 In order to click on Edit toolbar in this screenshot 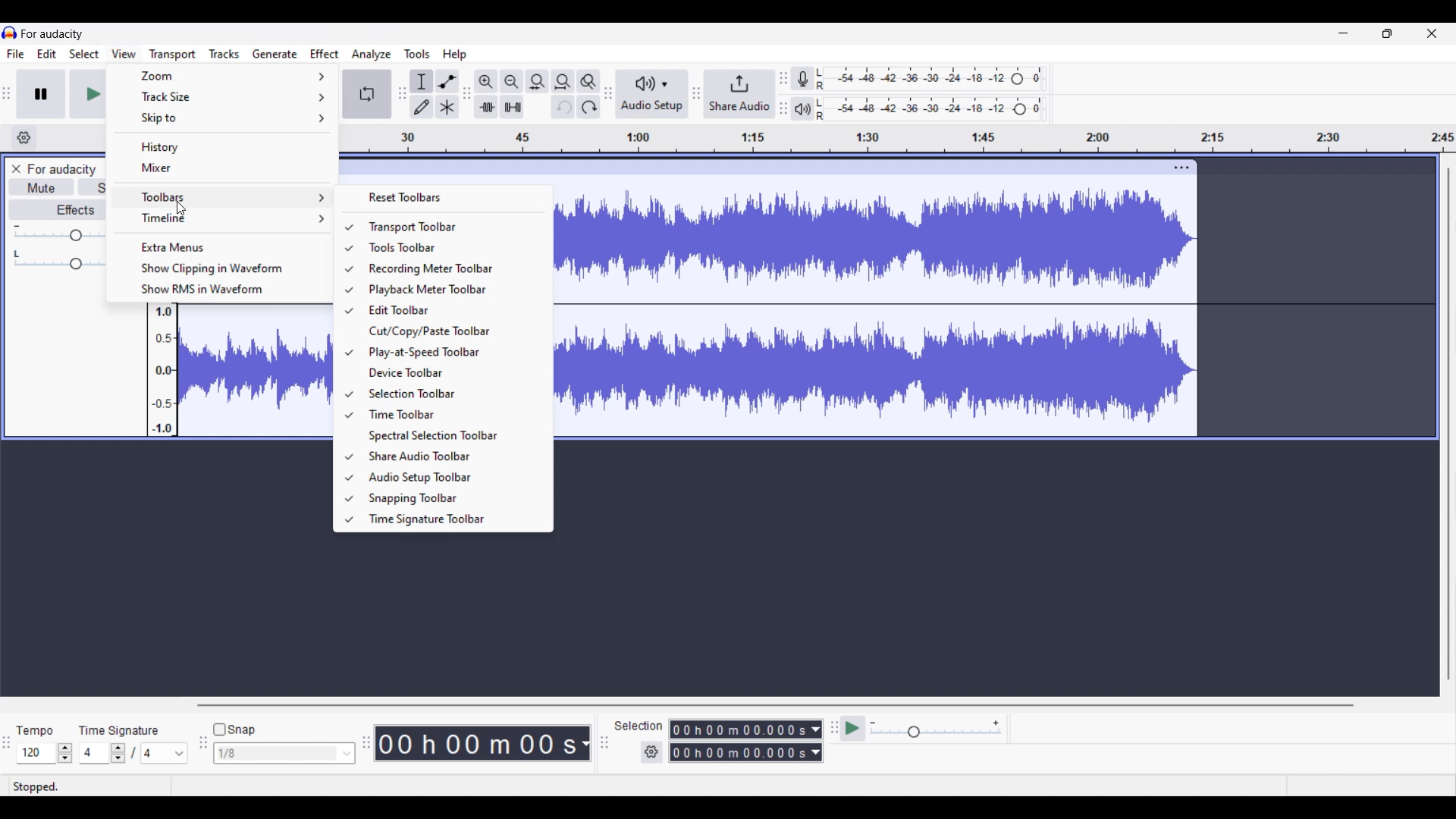, I will do `click(452, 310)`.